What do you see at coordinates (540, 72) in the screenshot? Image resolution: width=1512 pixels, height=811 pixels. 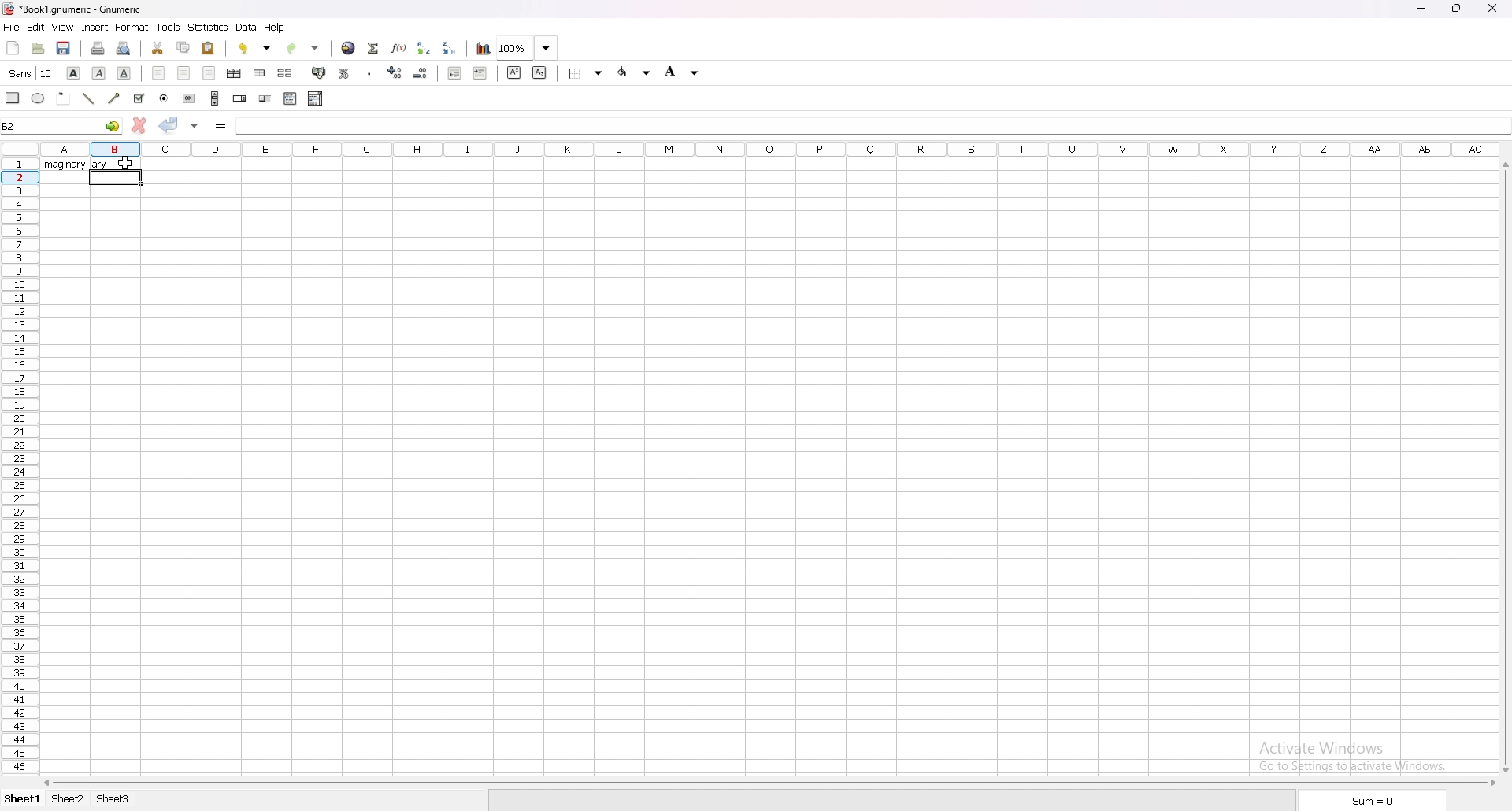 I see `subscript` at bounding box center [540, 72].